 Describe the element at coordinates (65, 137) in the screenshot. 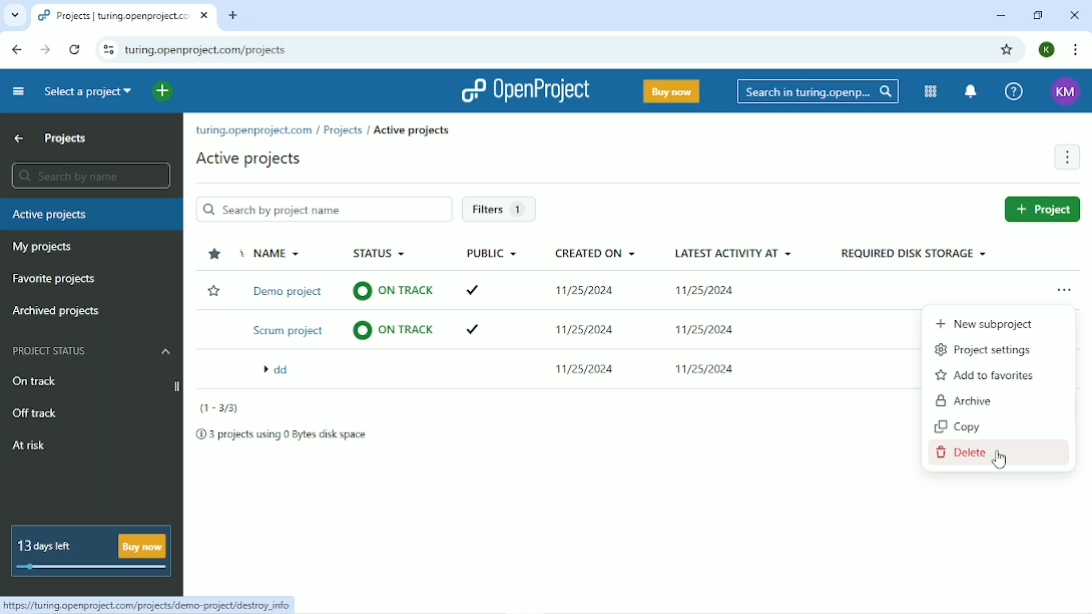

I see `Projects` at that location.